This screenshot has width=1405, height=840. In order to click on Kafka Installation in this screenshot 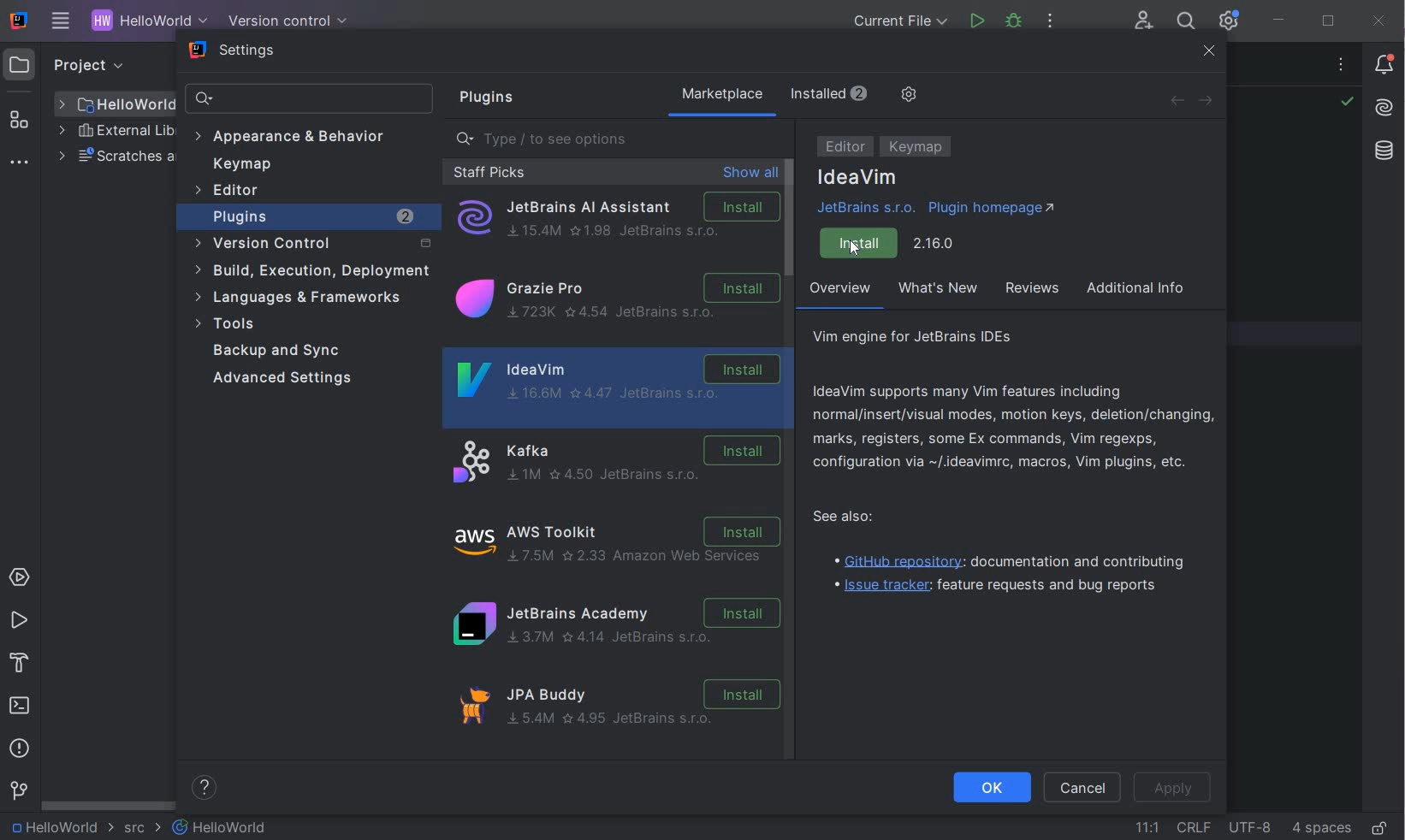, I will do `click(614, 462)`.